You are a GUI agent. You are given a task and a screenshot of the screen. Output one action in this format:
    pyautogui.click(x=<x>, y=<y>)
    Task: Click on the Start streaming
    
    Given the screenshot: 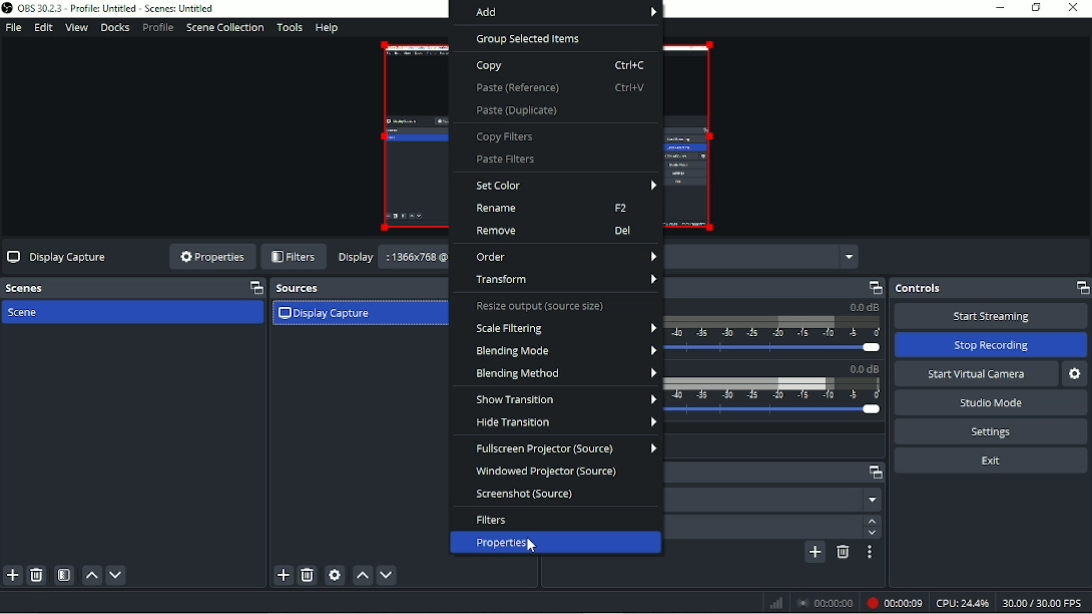 What is the action you would take?
    pyautogui.click(x=991, y=316)
    